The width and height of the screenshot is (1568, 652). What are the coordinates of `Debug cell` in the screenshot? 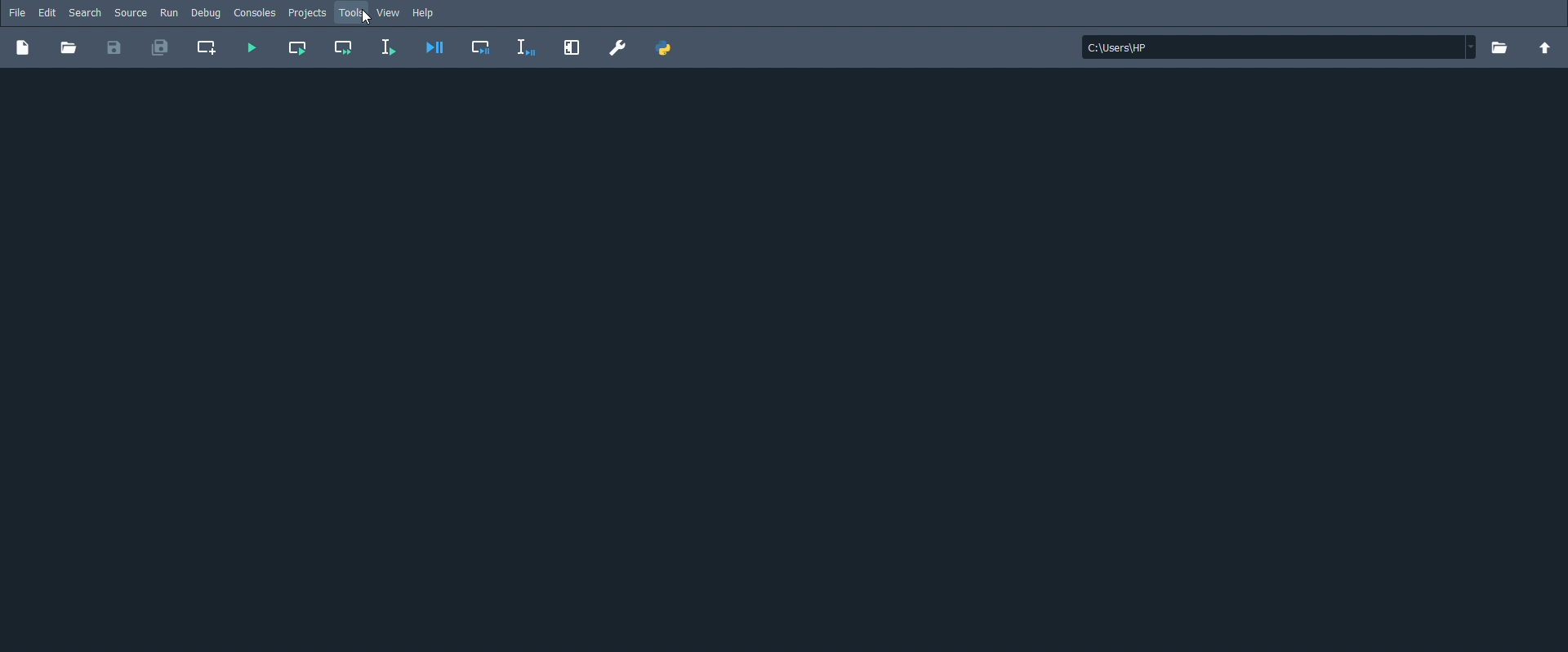 It's located at (483, 48).